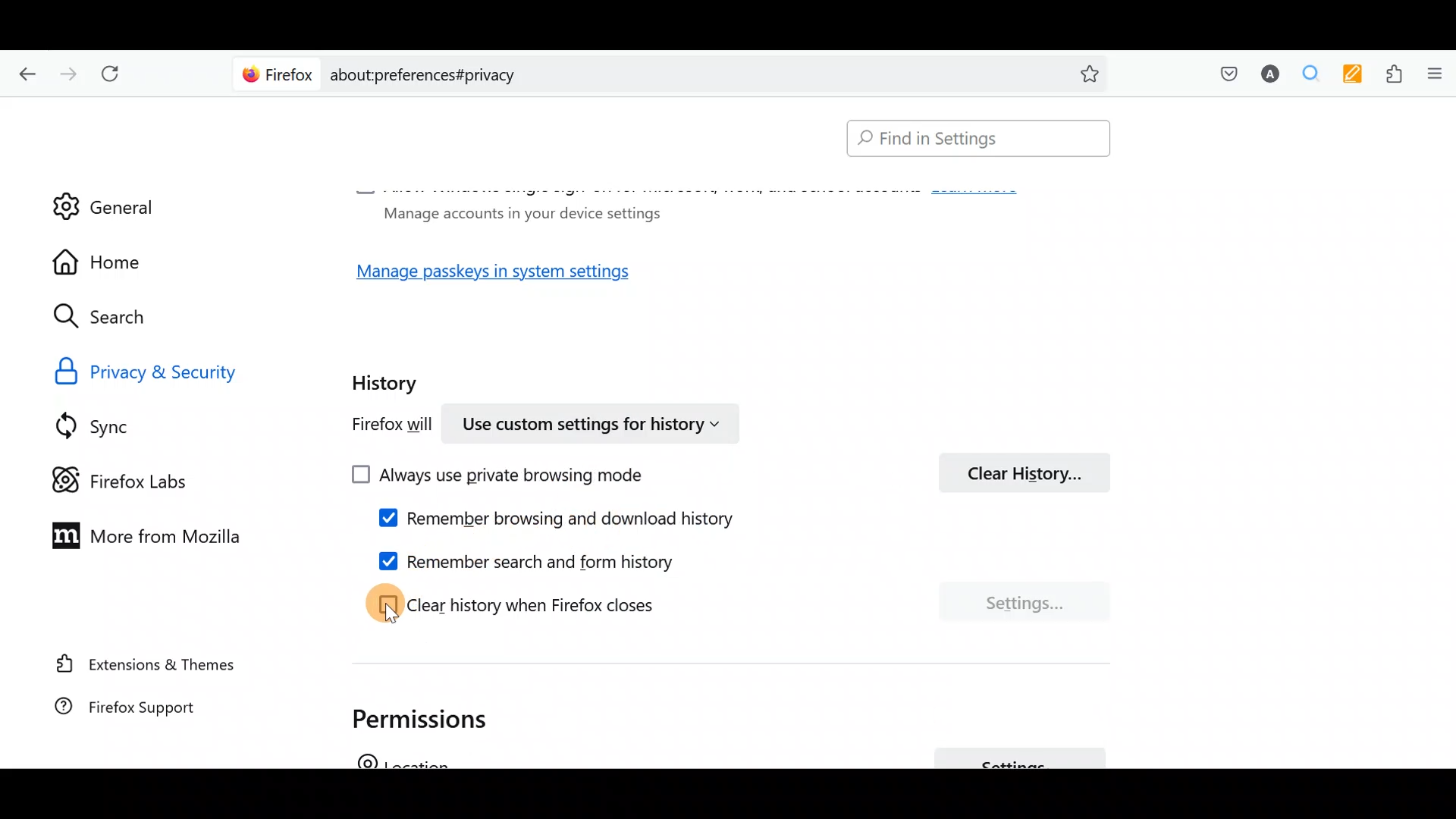 The width and height of the screenshot is (1456, 819). Describe the element at coordinates (515, 476) in the screenshot. I see `Always use private browsing mode` at that location.